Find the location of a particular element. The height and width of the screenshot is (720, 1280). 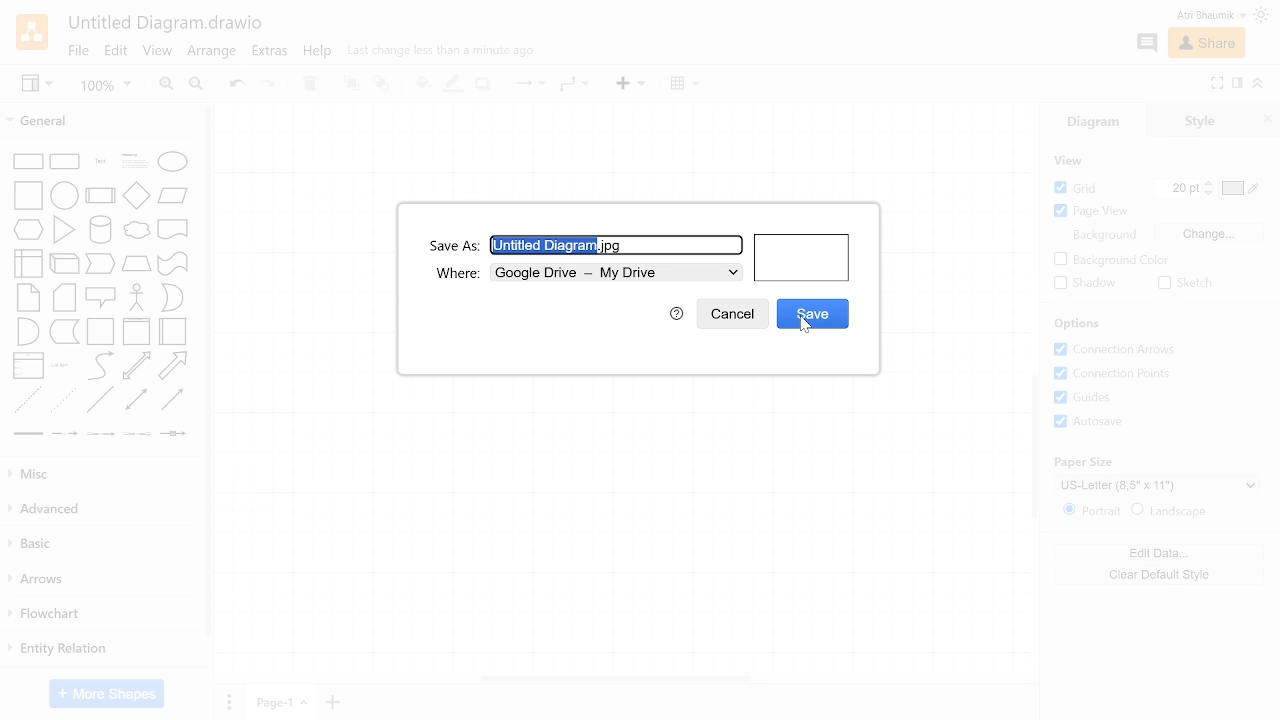

Grid color is located at coordinates (1240, 188).